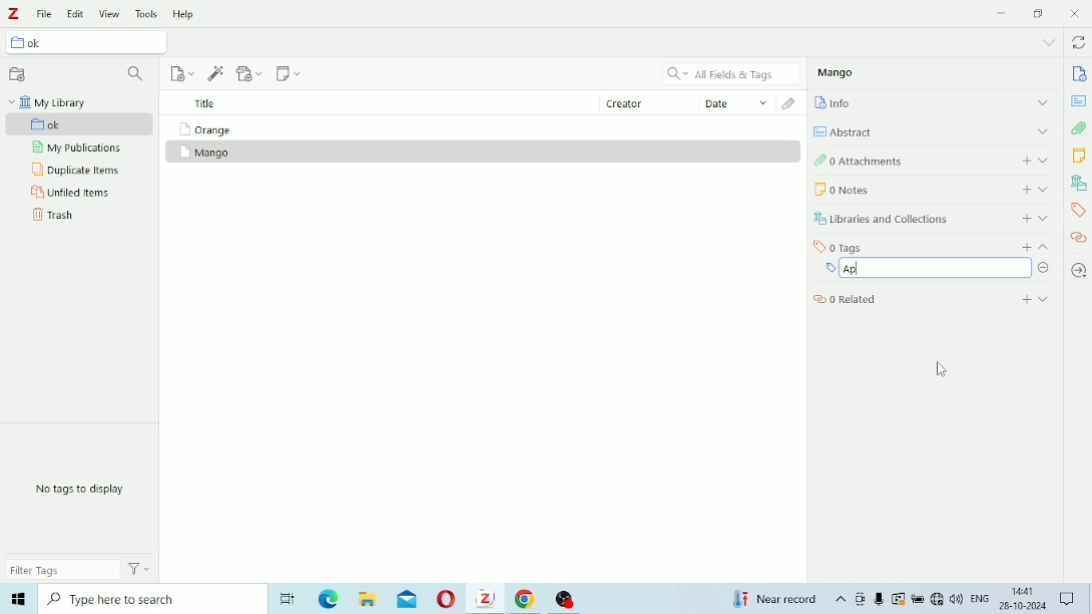 Image resolution: width=1092 pixels, height=614 pixels. What do you see at coordinates (147, 15) in the screenshot?
I see `Tools` at bounding box center [147, 15].